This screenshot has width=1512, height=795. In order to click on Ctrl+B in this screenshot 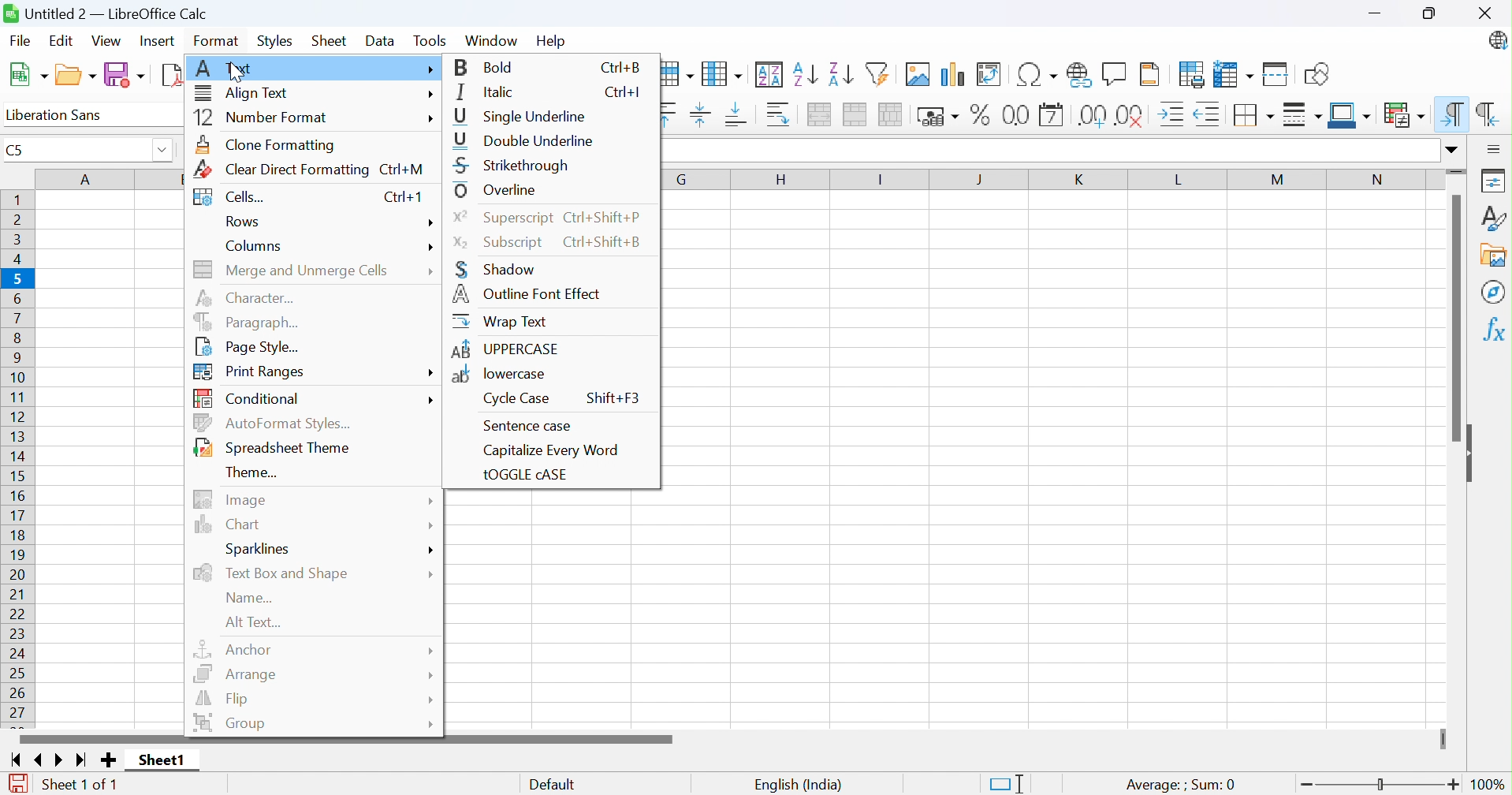, I will do `click(619, 67)`.